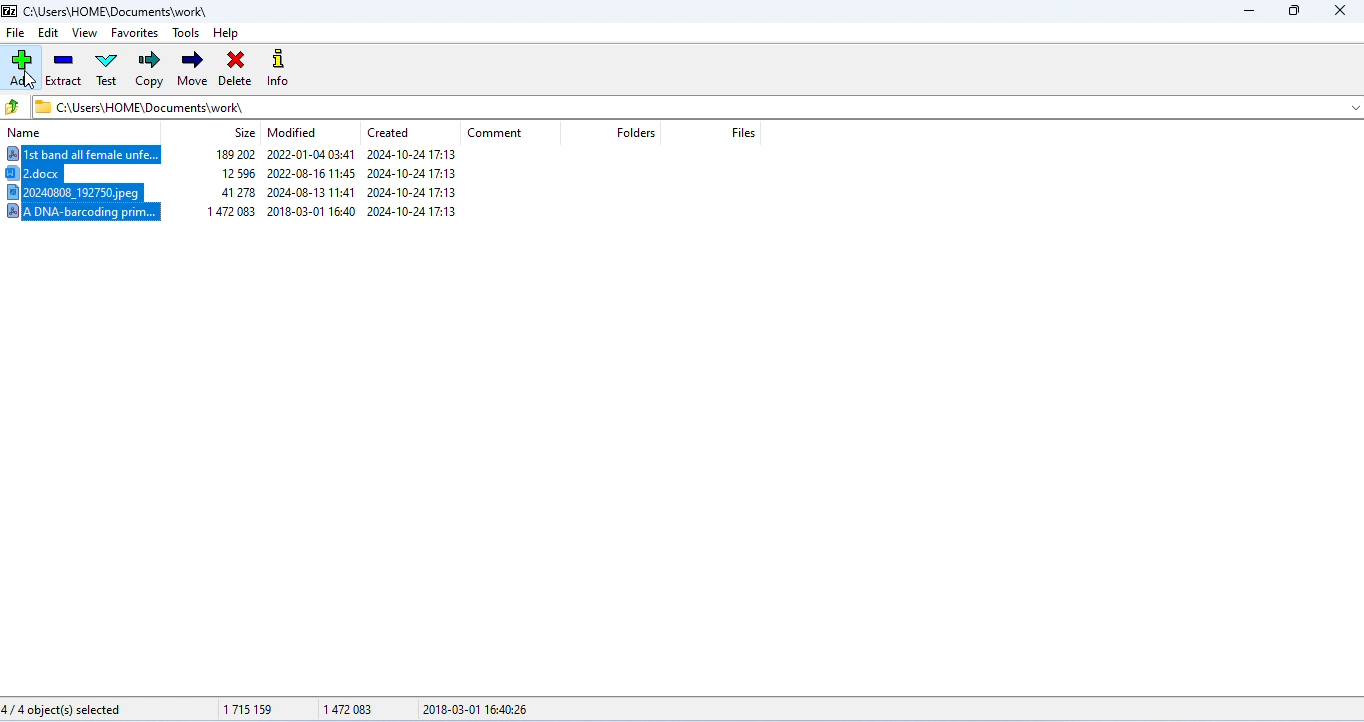 This screenshot has height=722, width=1364. Describe the element at coordinates (106, 11) in the screenshot. I see `CAUsers\HOME\Documents\work\` at that location.